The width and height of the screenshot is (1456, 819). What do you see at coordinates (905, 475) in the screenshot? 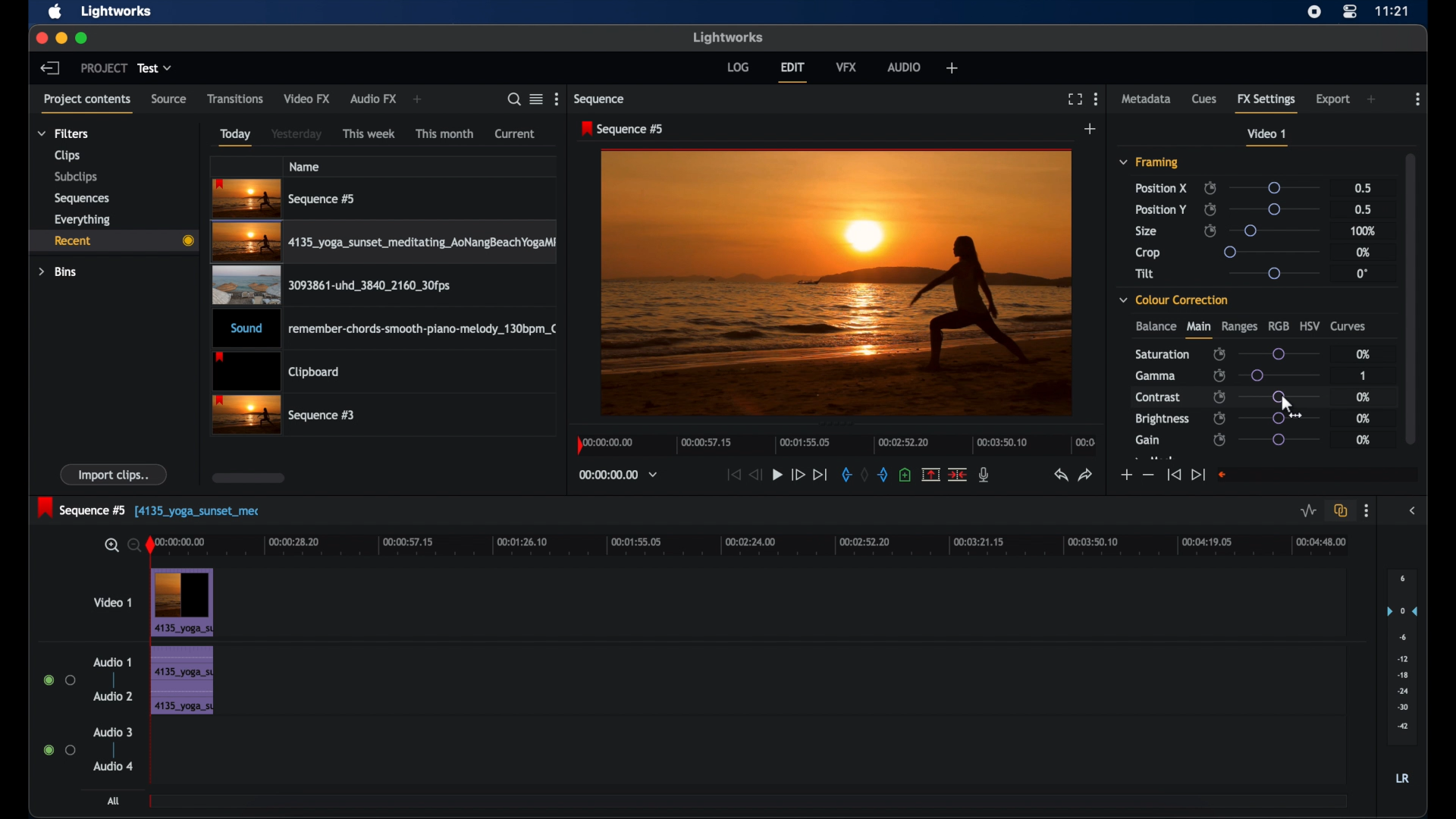
I see `add cue at current position` at bounding box center [905, 475].